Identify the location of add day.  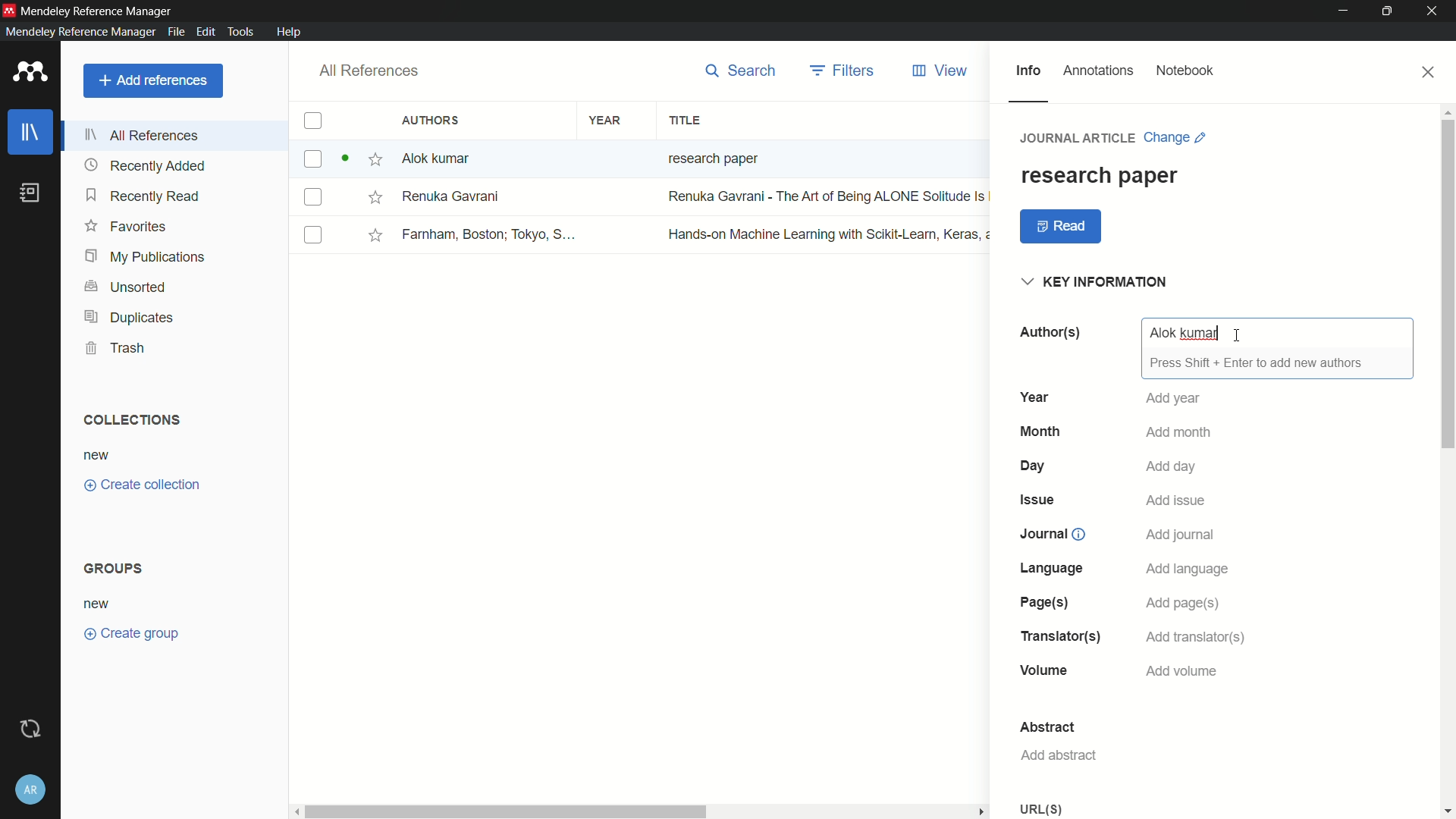
(1172, 466).